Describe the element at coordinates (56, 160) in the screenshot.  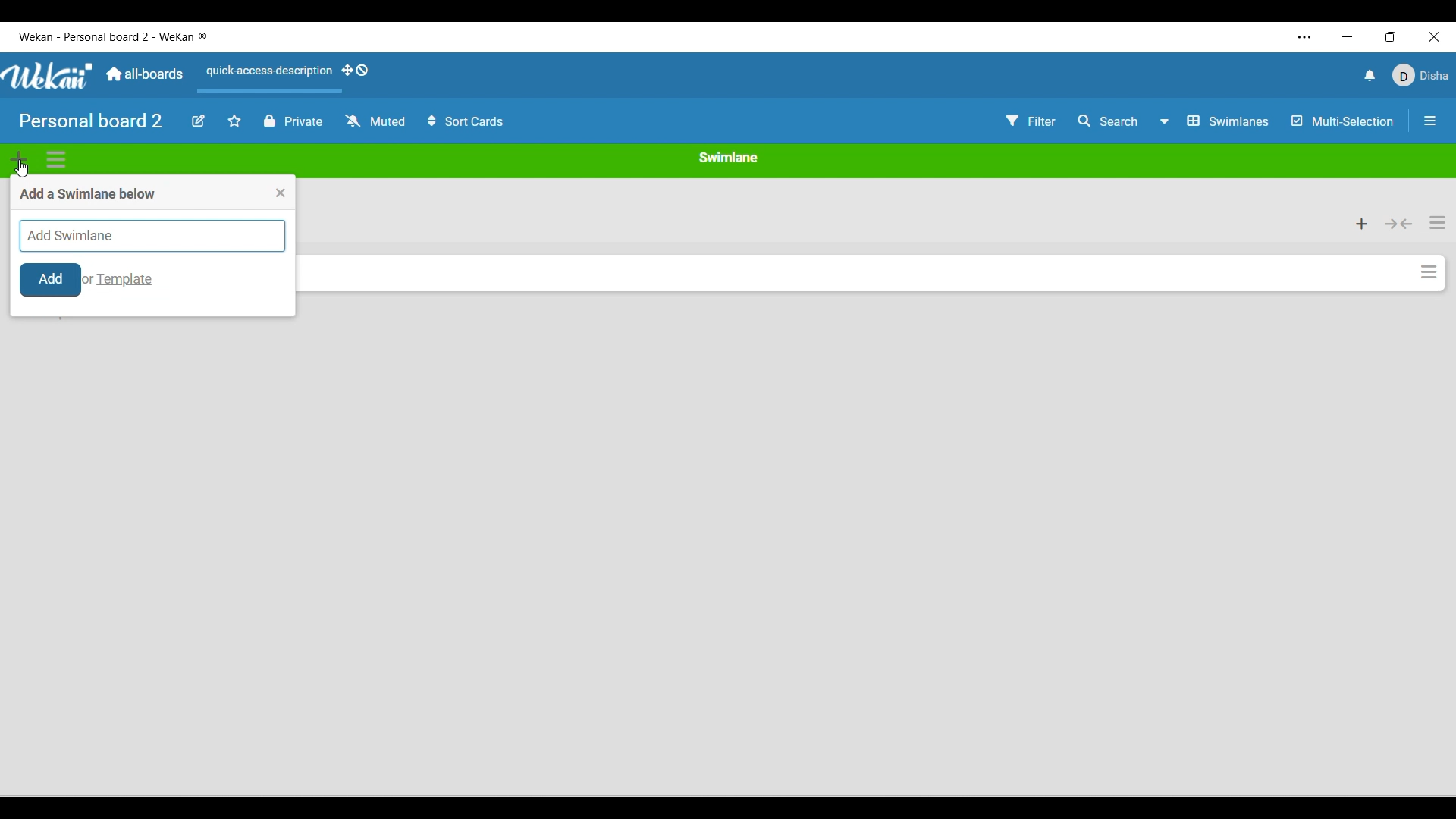
I see `Swimlane actions` at that location.